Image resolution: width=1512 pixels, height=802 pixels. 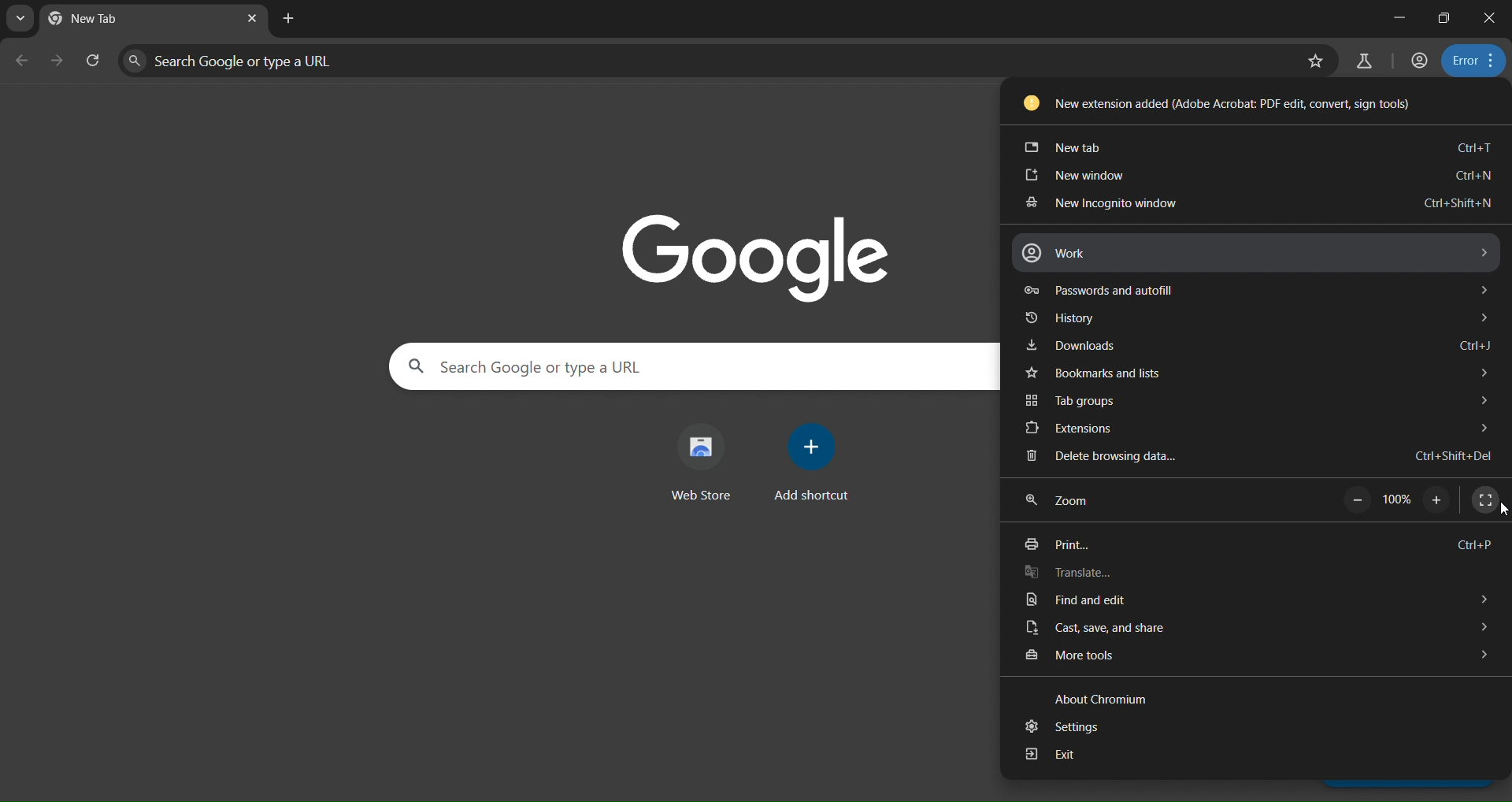 What do you see at coordinates (1257, 401) in the screenshot?
I see `tab groups` at bounding box center [1257, 401].